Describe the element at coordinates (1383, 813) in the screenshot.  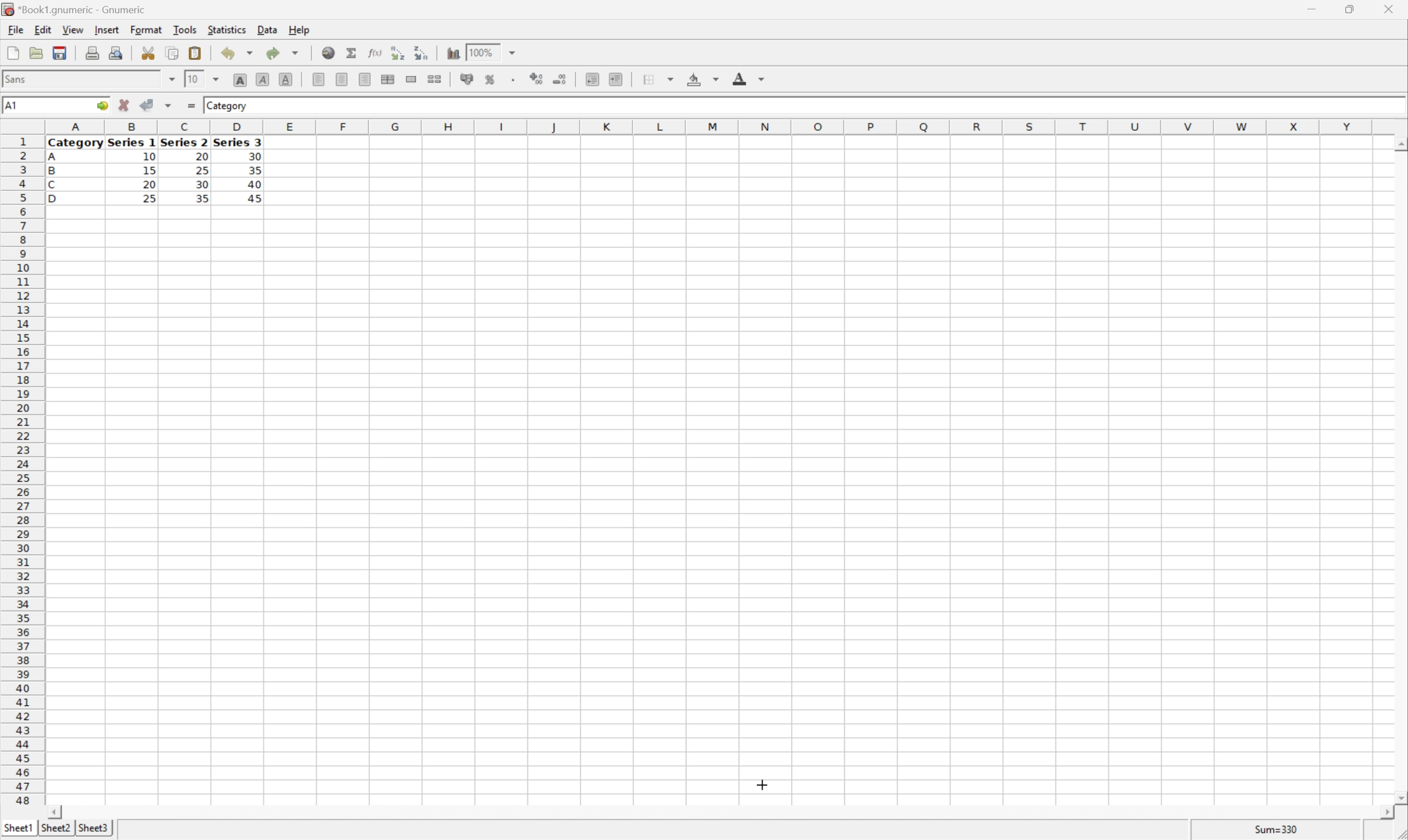
I see `Scroll Right` at that location.